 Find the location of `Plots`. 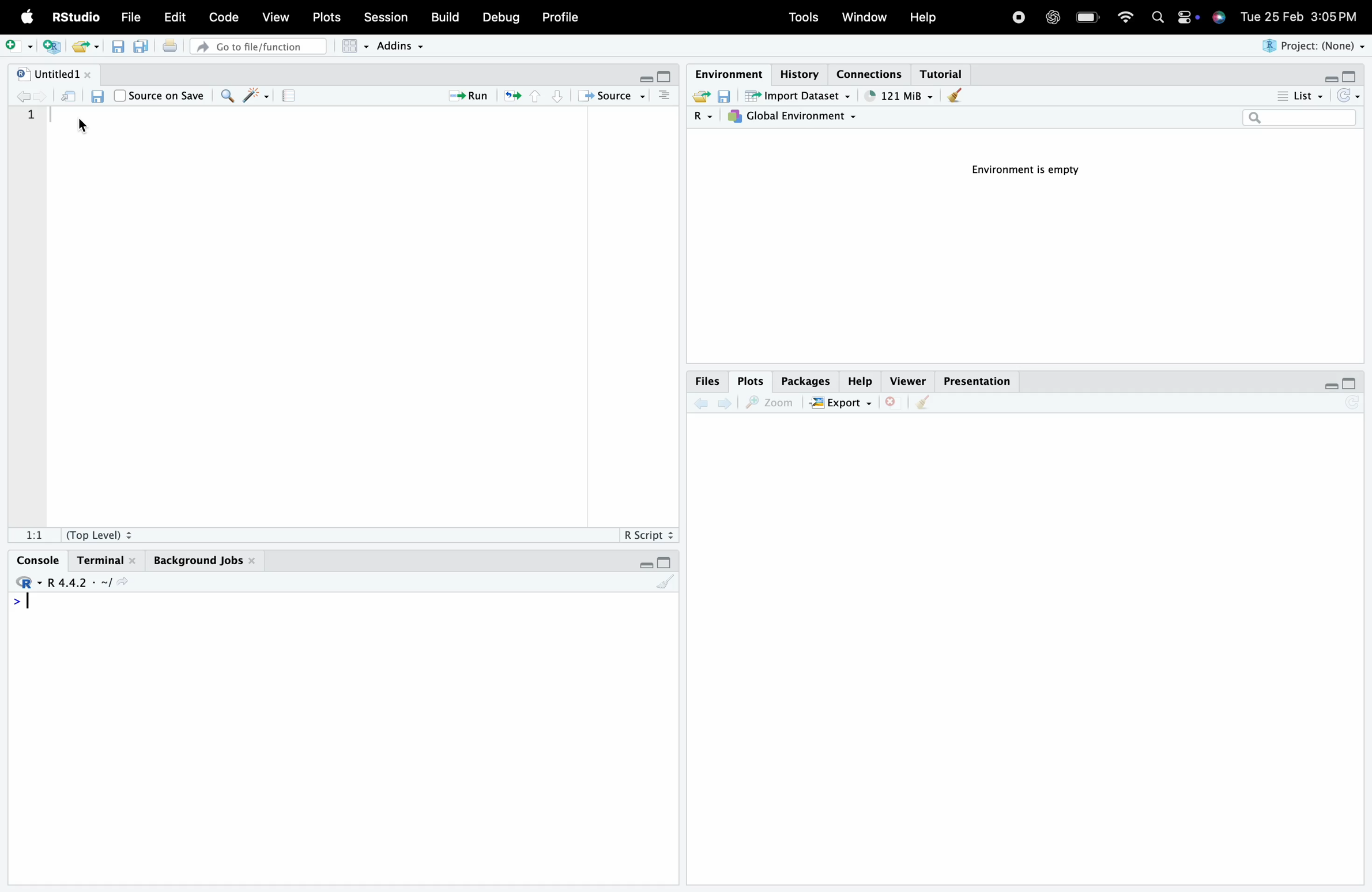

Plots is located at coordinates (752, 379).